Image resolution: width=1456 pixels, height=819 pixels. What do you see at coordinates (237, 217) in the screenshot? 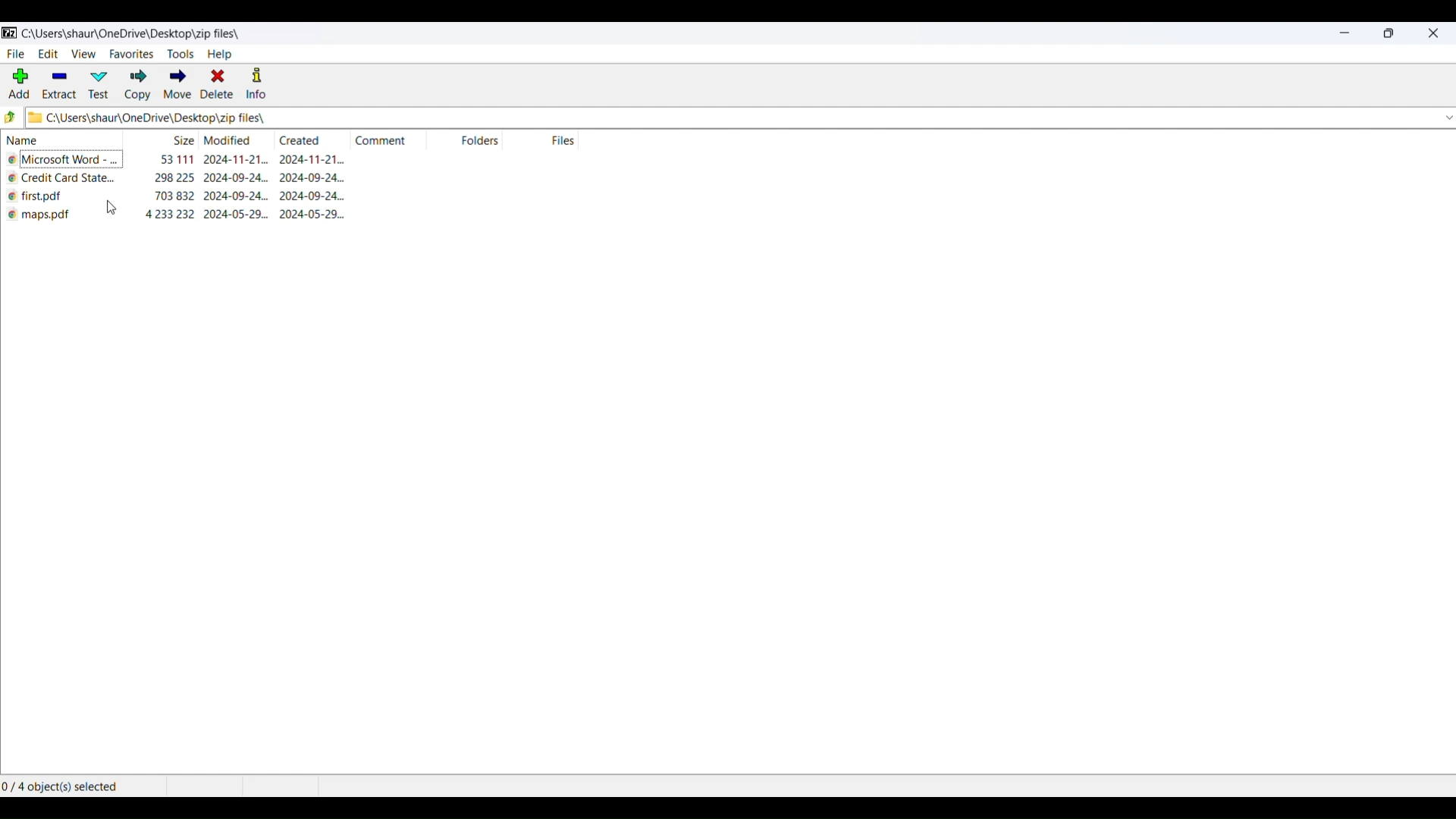
I see `file modification date` at bounding box center [237, 217].